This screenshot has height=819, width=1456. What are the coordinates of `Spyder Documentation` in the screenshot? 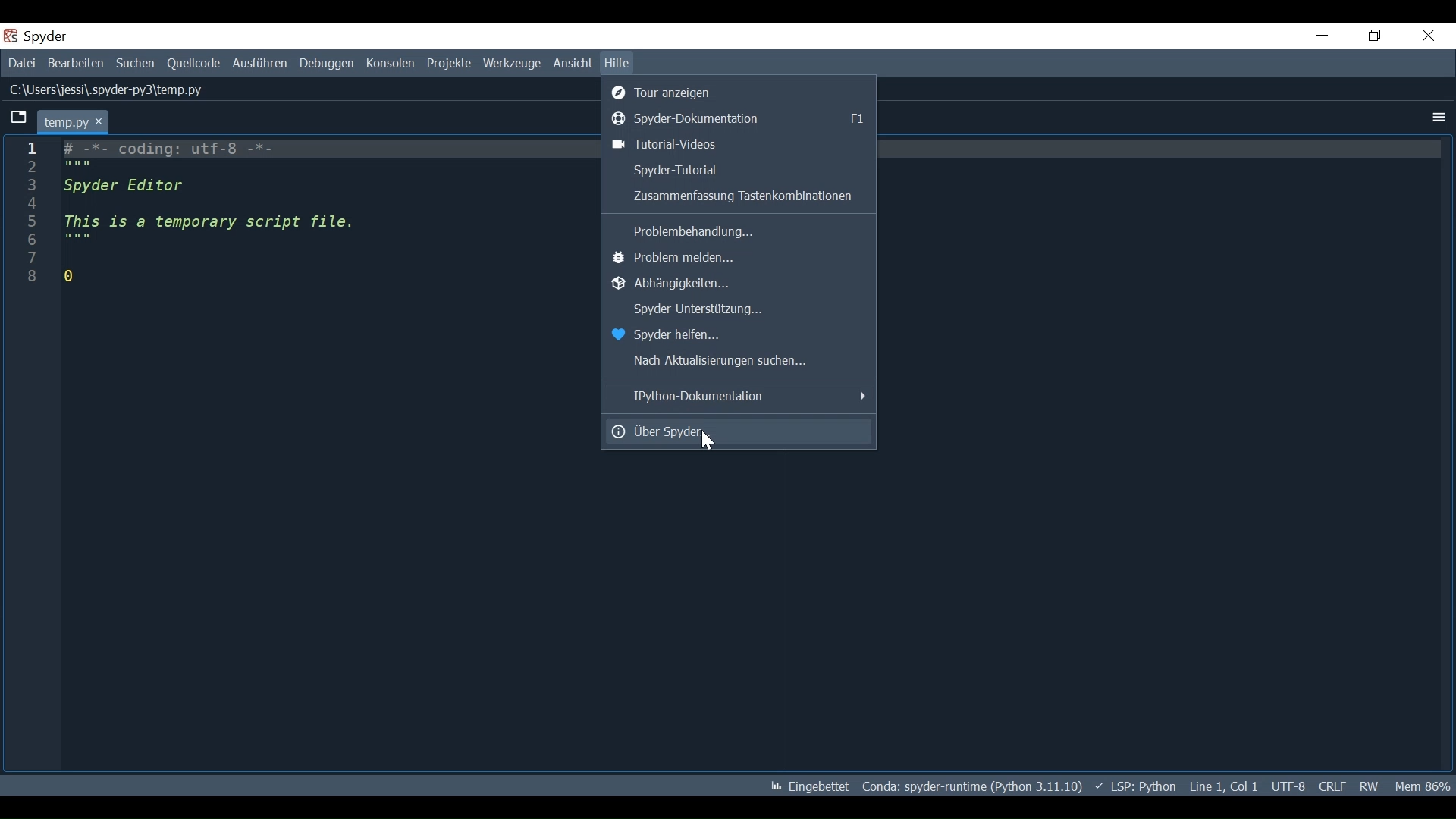 It's located at (738, 119).